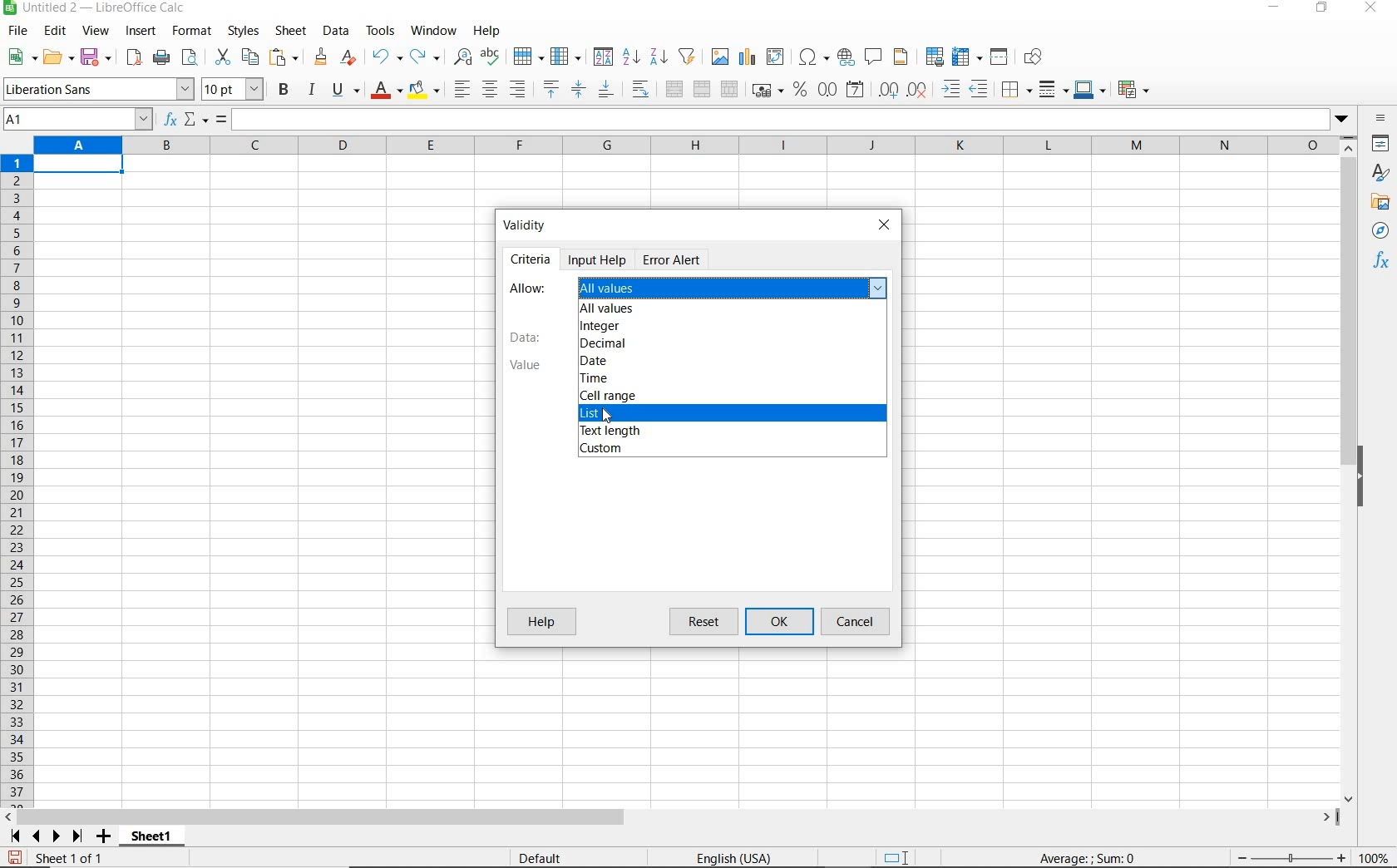  Describe the element at coordinates (827, 89) in the screenshot. I see `format as number` at that location.